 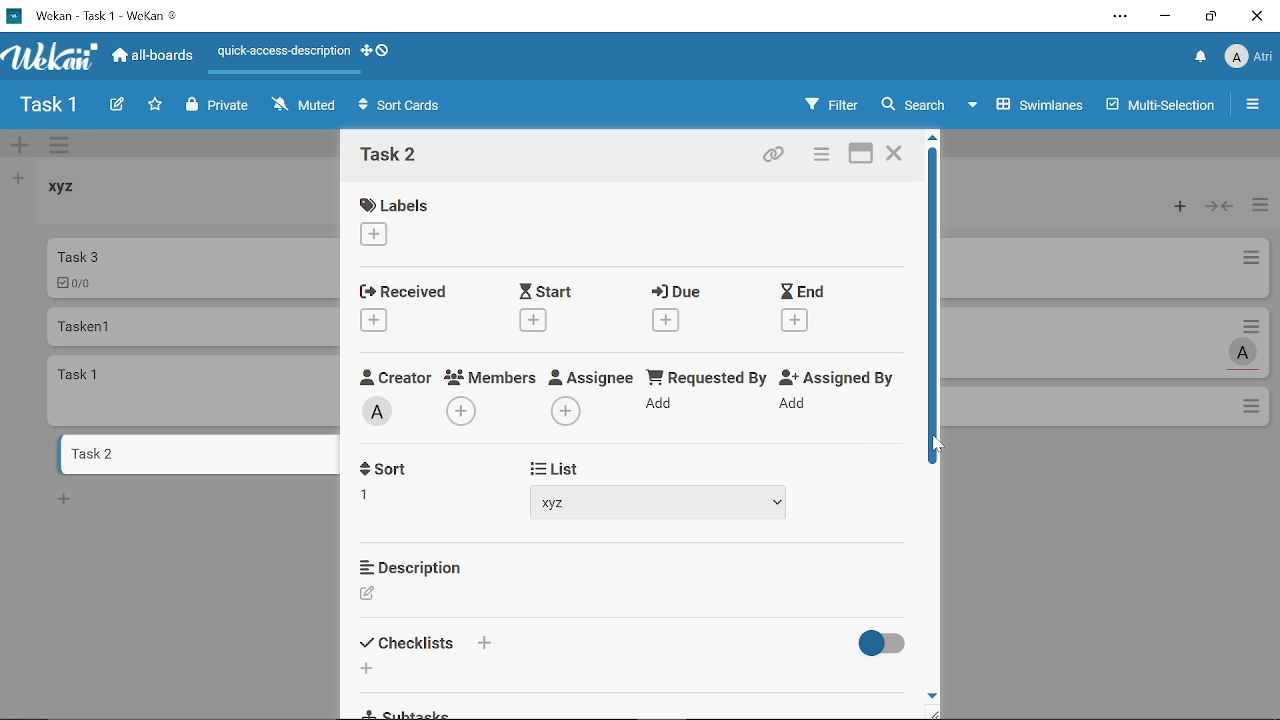 What do you see at coordinates (365, 51) in the screenshot?
I see `Show desktop drag handles` at bounding box center [365, 51].